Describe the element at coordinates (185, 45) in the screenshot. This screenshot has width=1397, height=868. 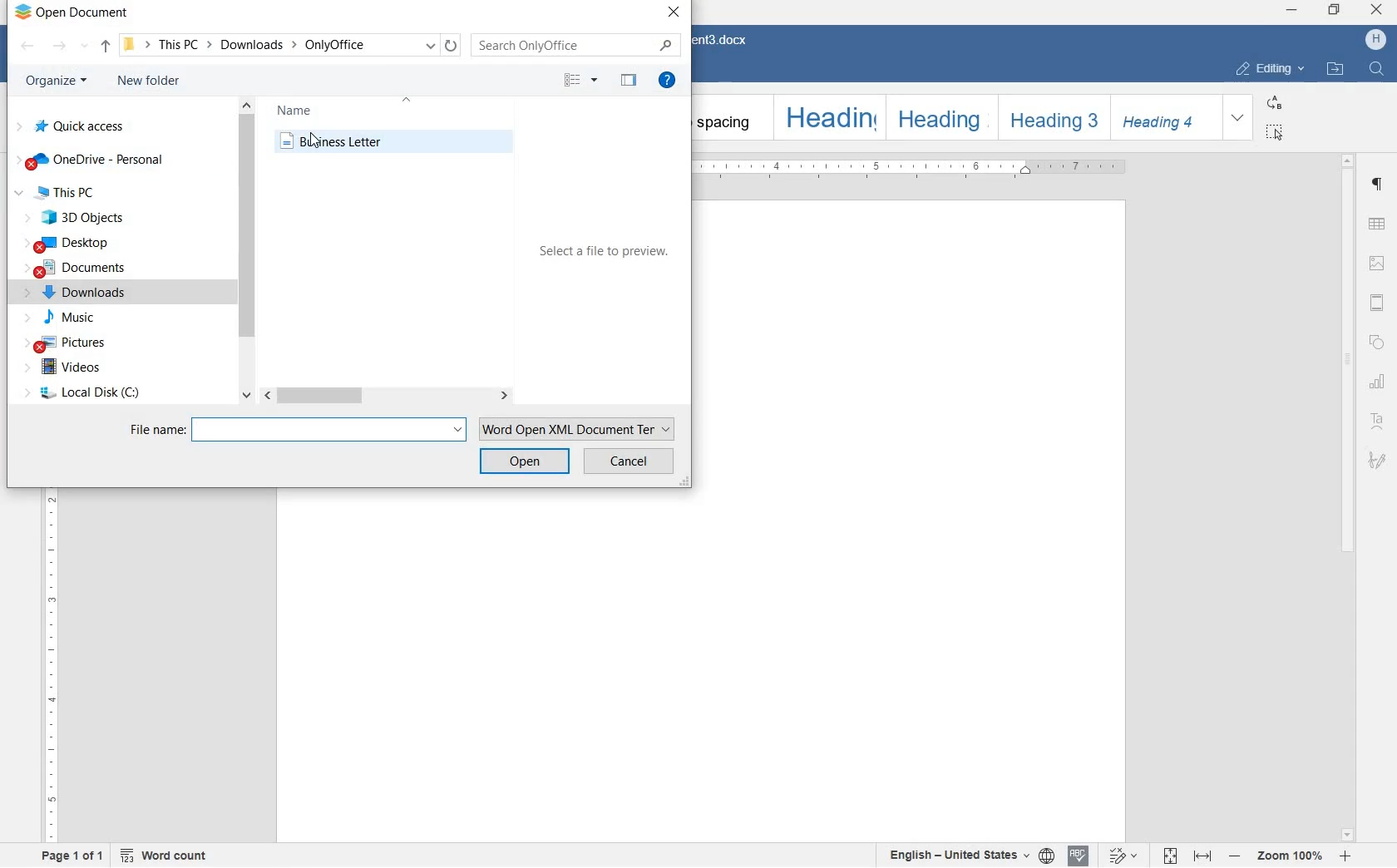
I see `this pc` at that location.